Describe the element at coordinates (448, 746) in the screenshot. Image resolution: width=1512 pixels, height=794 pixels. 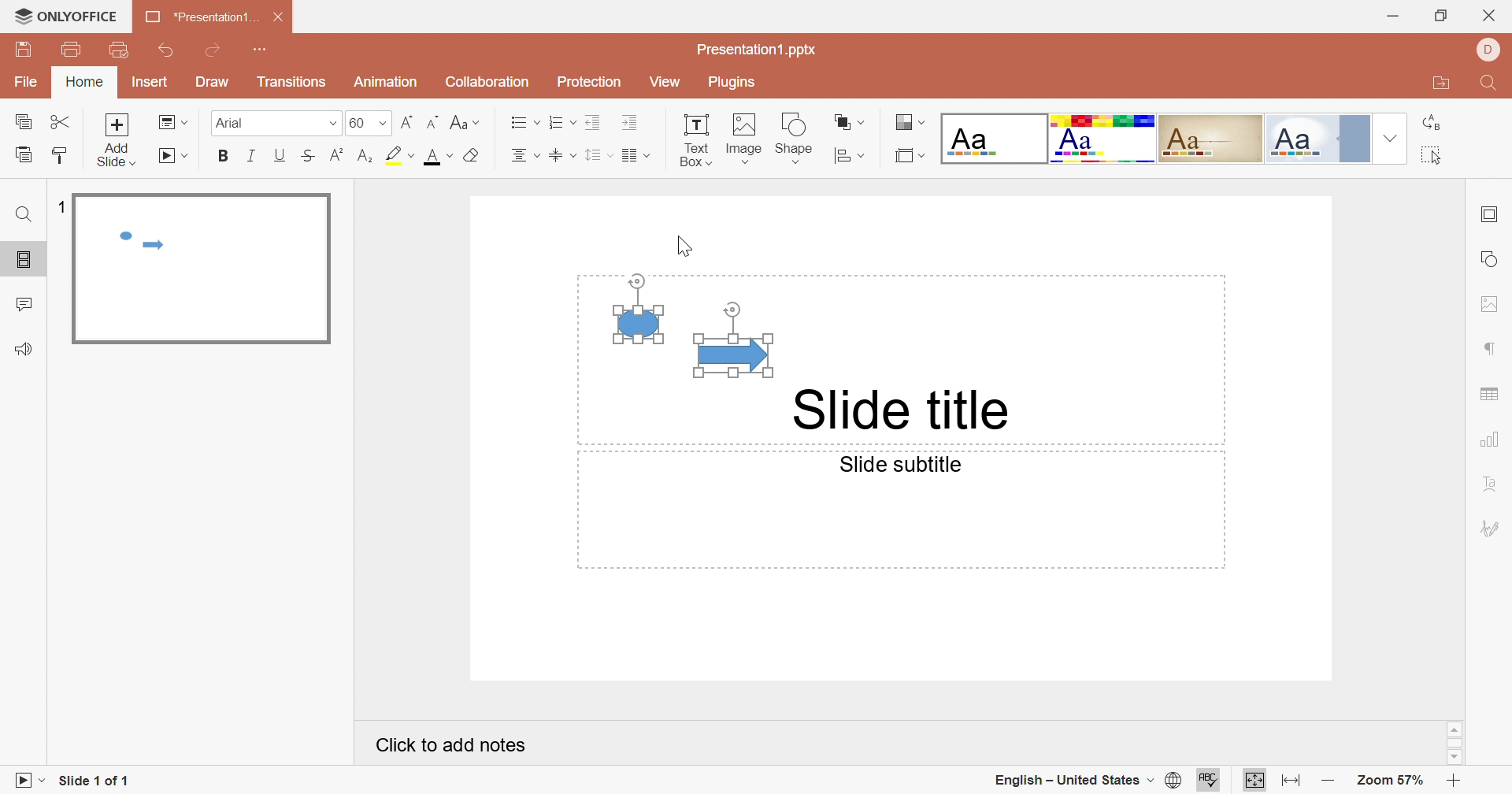
I see `Click to add notes` at that location.